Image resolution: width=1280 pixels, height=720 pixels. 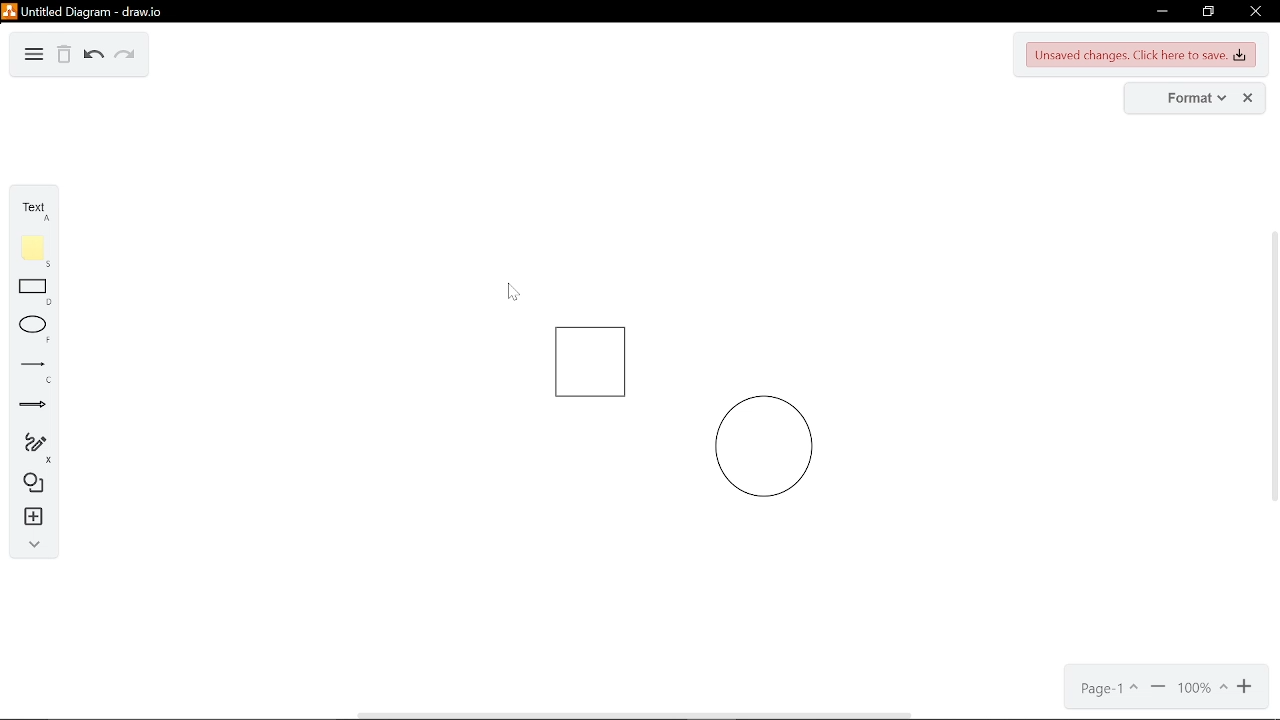 What do you see at coordinates (1256, 11) in the screenshot?
I see `close` at bounding box center [1256, 11].